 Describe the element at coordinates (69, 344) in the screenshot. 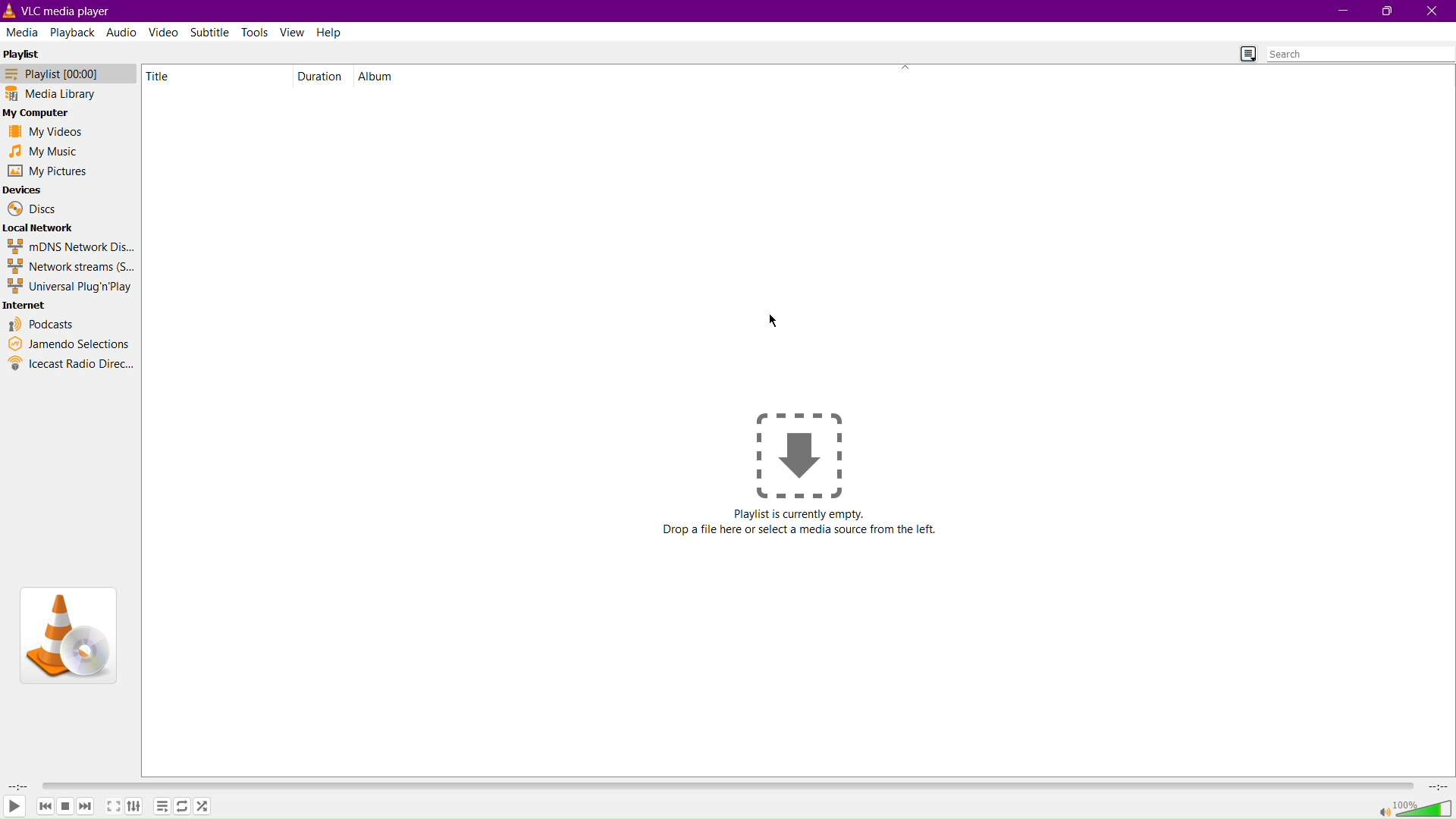

I see `Jamendo Selections` at that location.